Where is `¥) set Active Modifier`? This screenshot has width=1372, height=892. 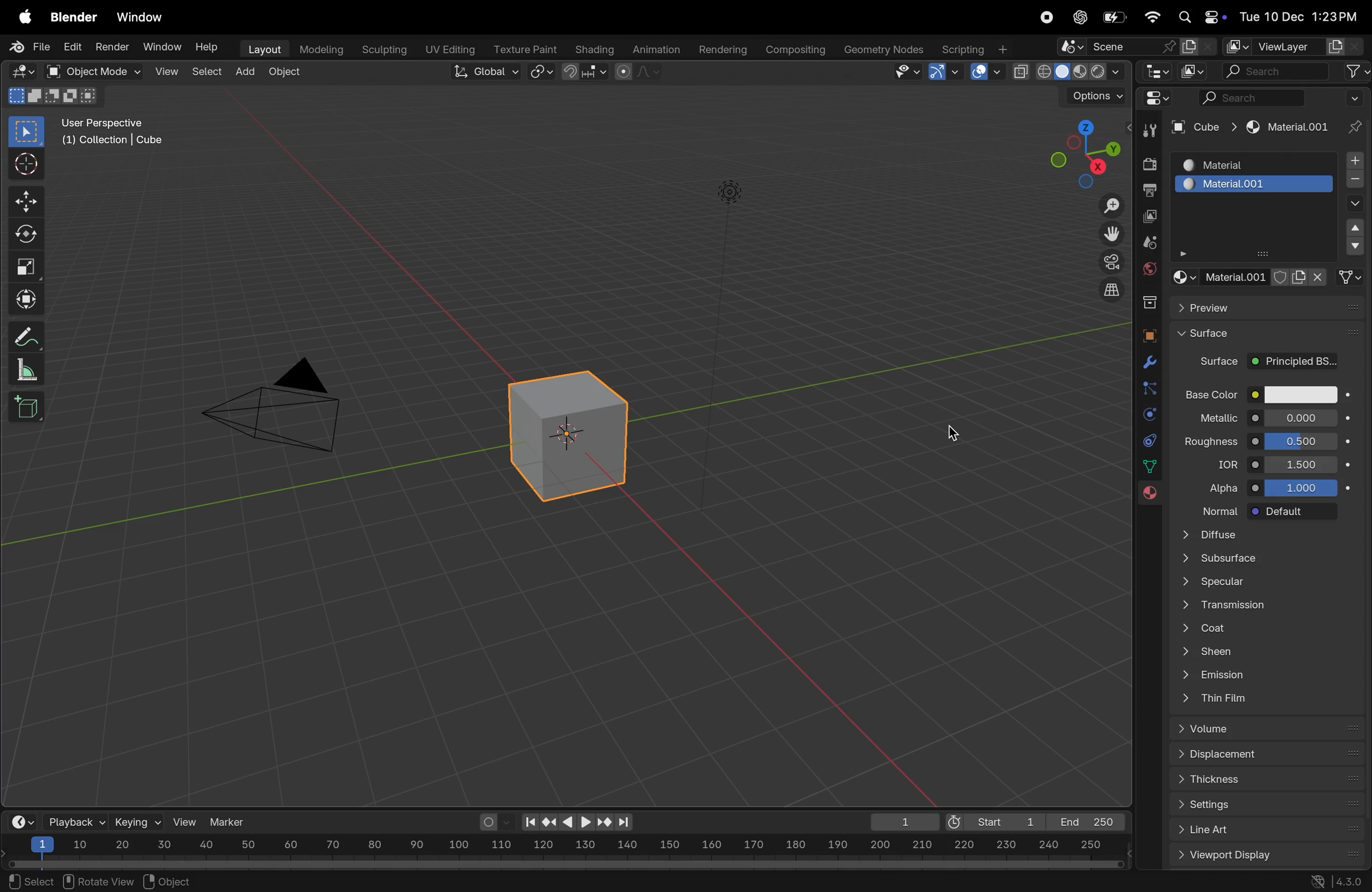
¥) set Active Modifier is located at coordinates (54, 880).